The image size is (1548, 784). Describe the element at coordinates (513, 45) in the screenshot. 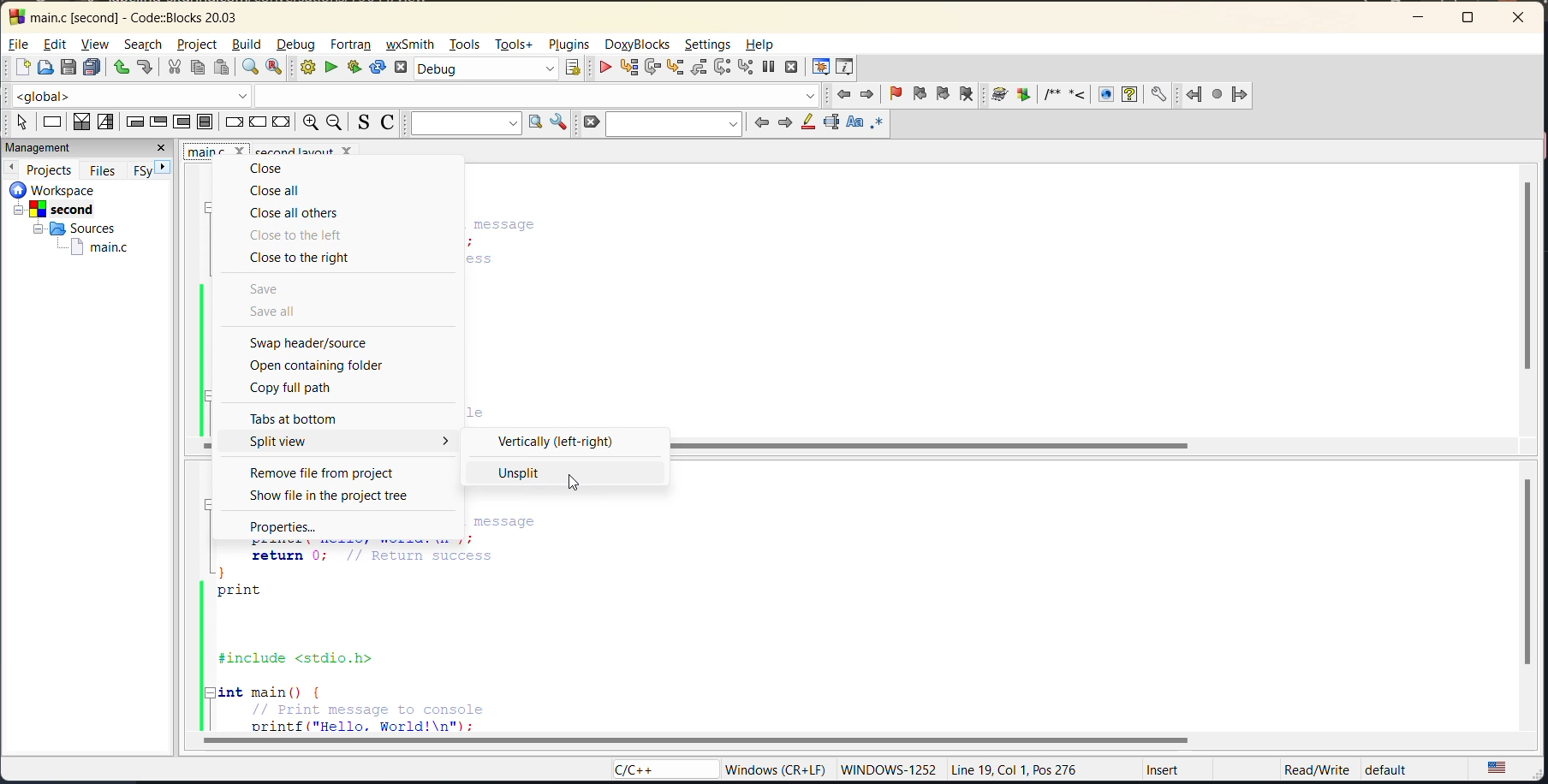

I see `tools+` at that location.